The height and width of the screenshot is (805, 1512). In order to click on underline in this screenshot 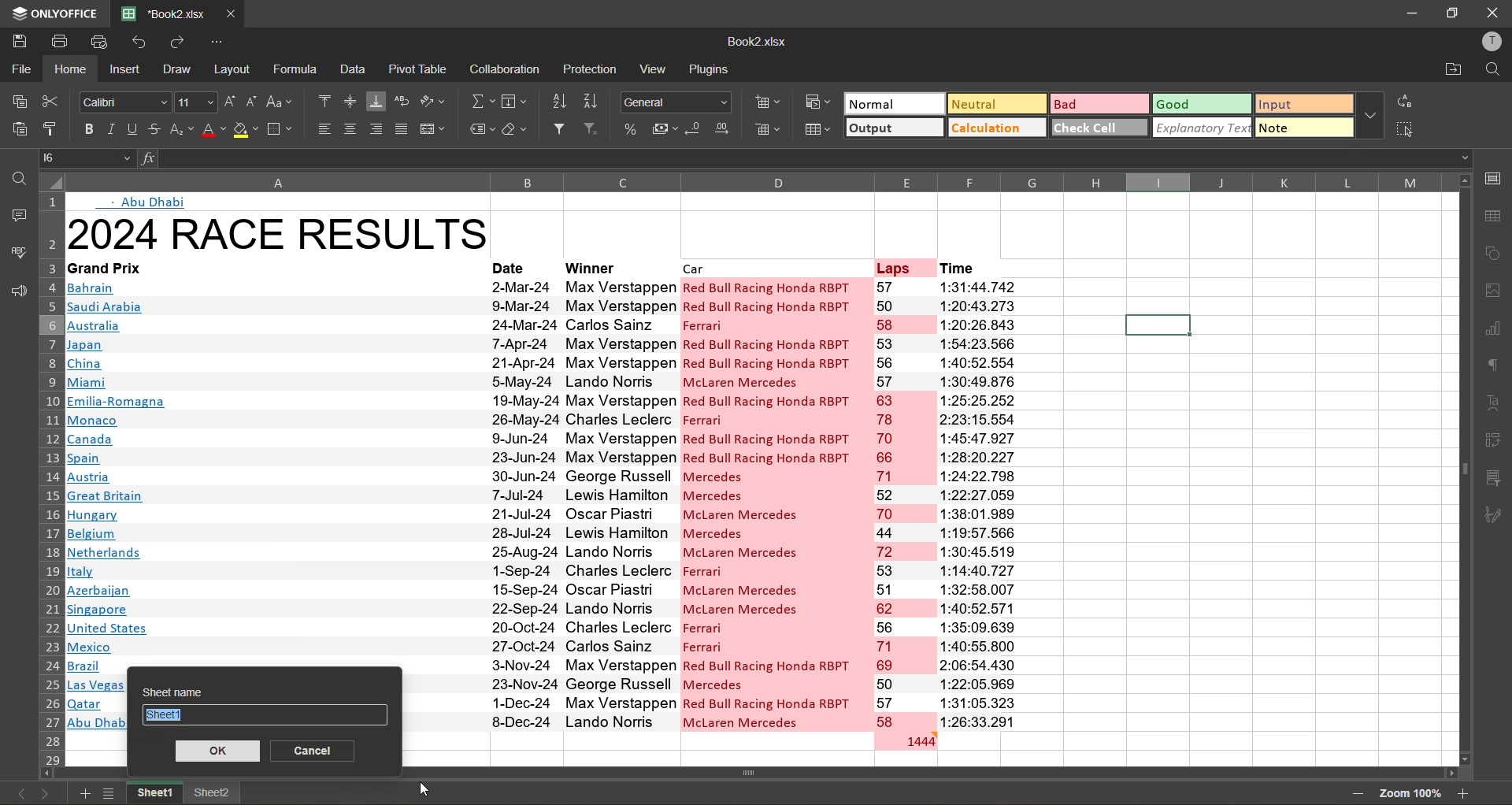, I will do `click(129, 131)`.